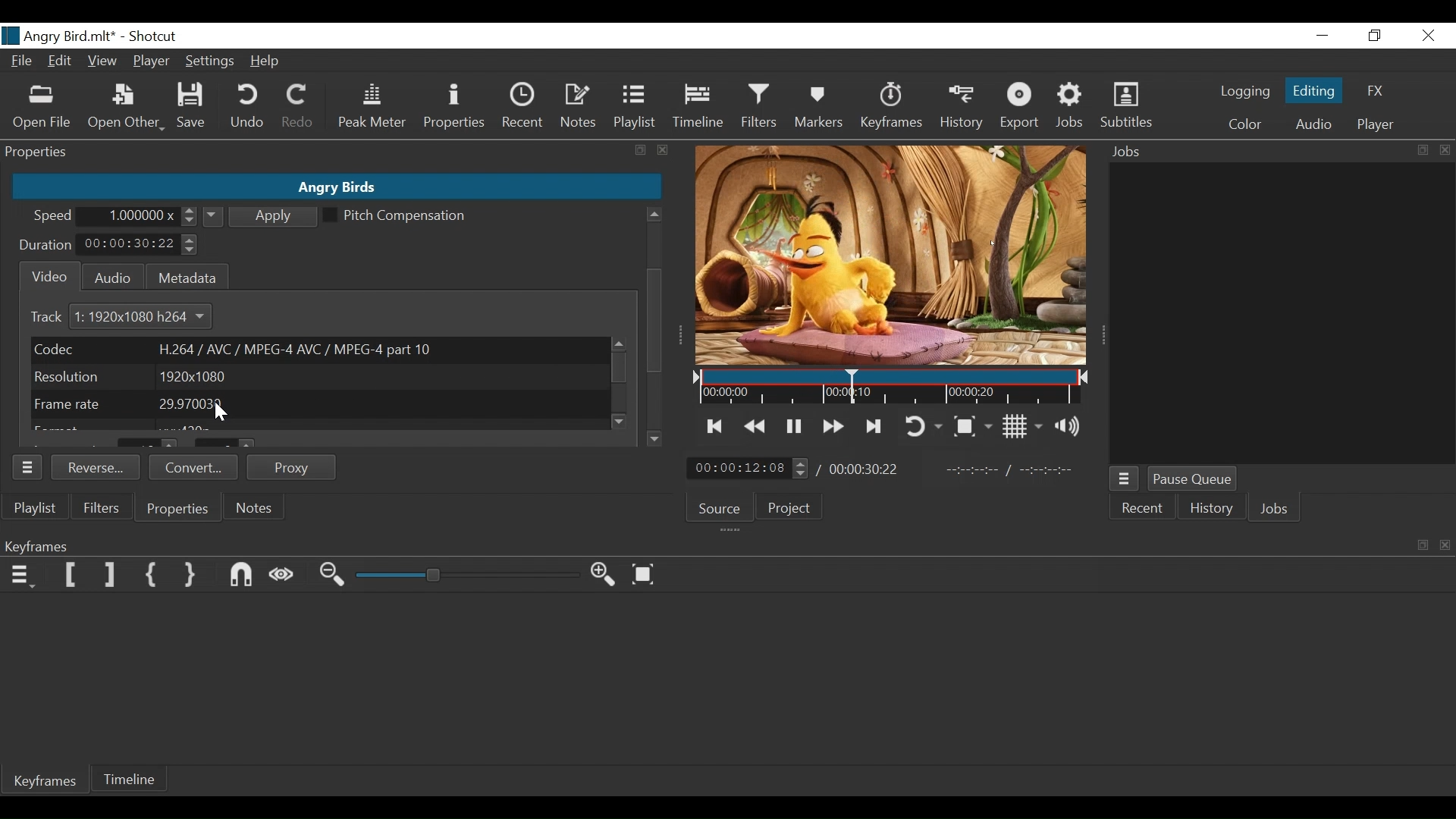  Describe the element at coordinates (758, 108) in the screenshot. I see `Filters` at that location.